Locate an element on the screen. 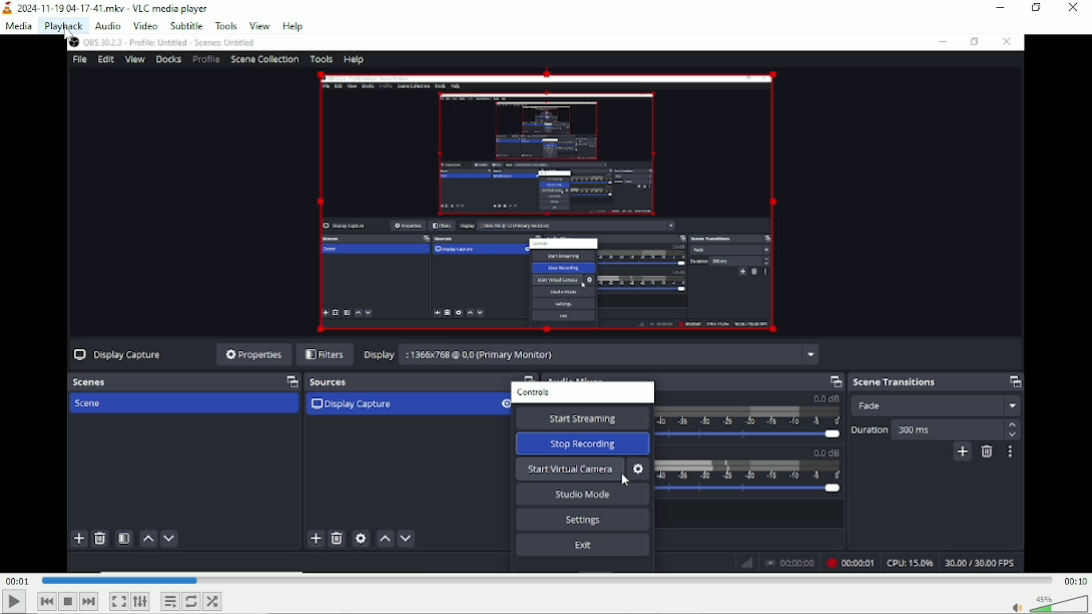  Media is located at coordinates (17, 26).